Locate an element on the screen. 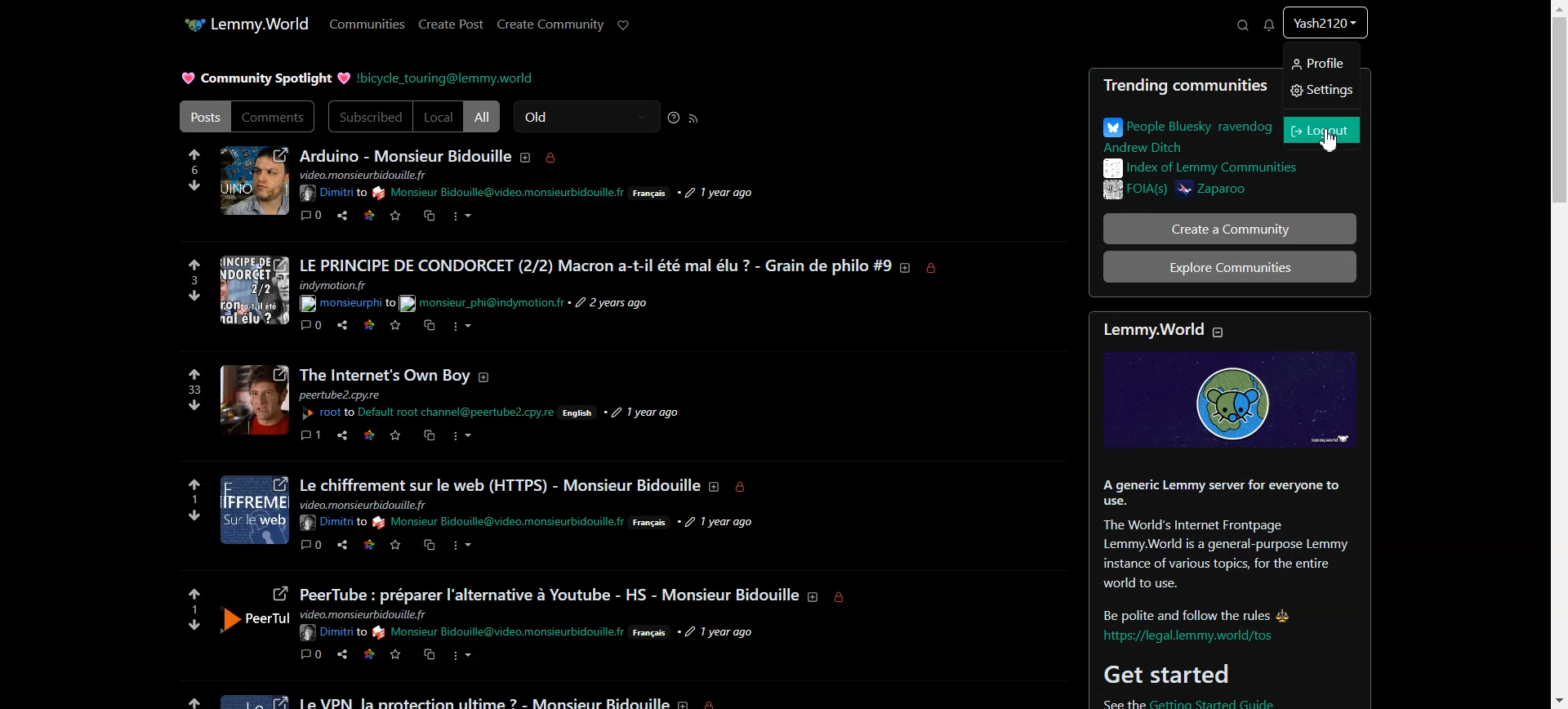 Image resolution: width=1568 pixels, height=709 pixels. Profile Pic is located at coordinates (253, 181).